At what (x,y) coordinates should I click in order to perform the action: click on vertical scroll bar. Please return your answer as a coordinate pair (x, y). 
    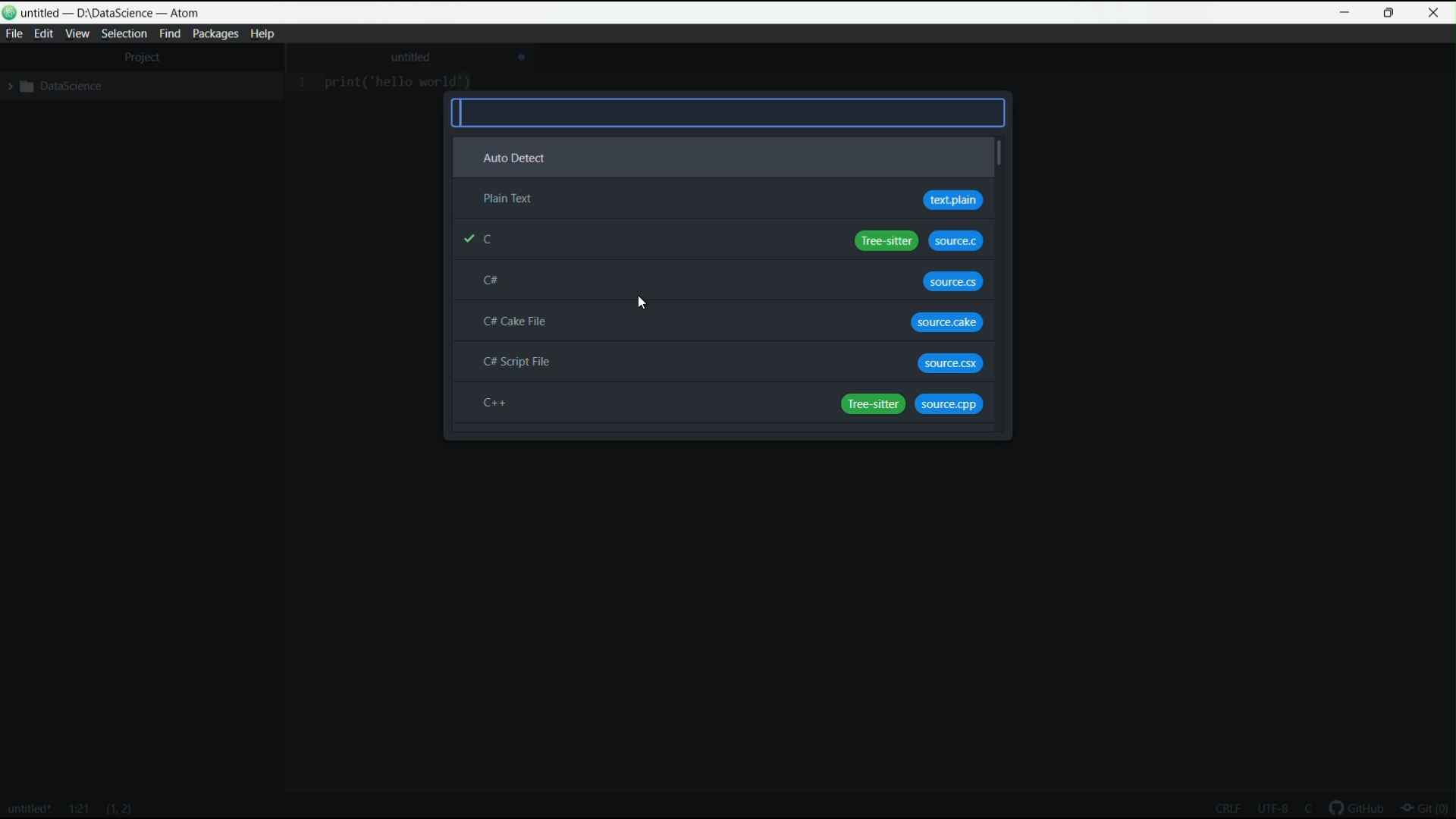
    Looking at the image, I should click on (997, 157).